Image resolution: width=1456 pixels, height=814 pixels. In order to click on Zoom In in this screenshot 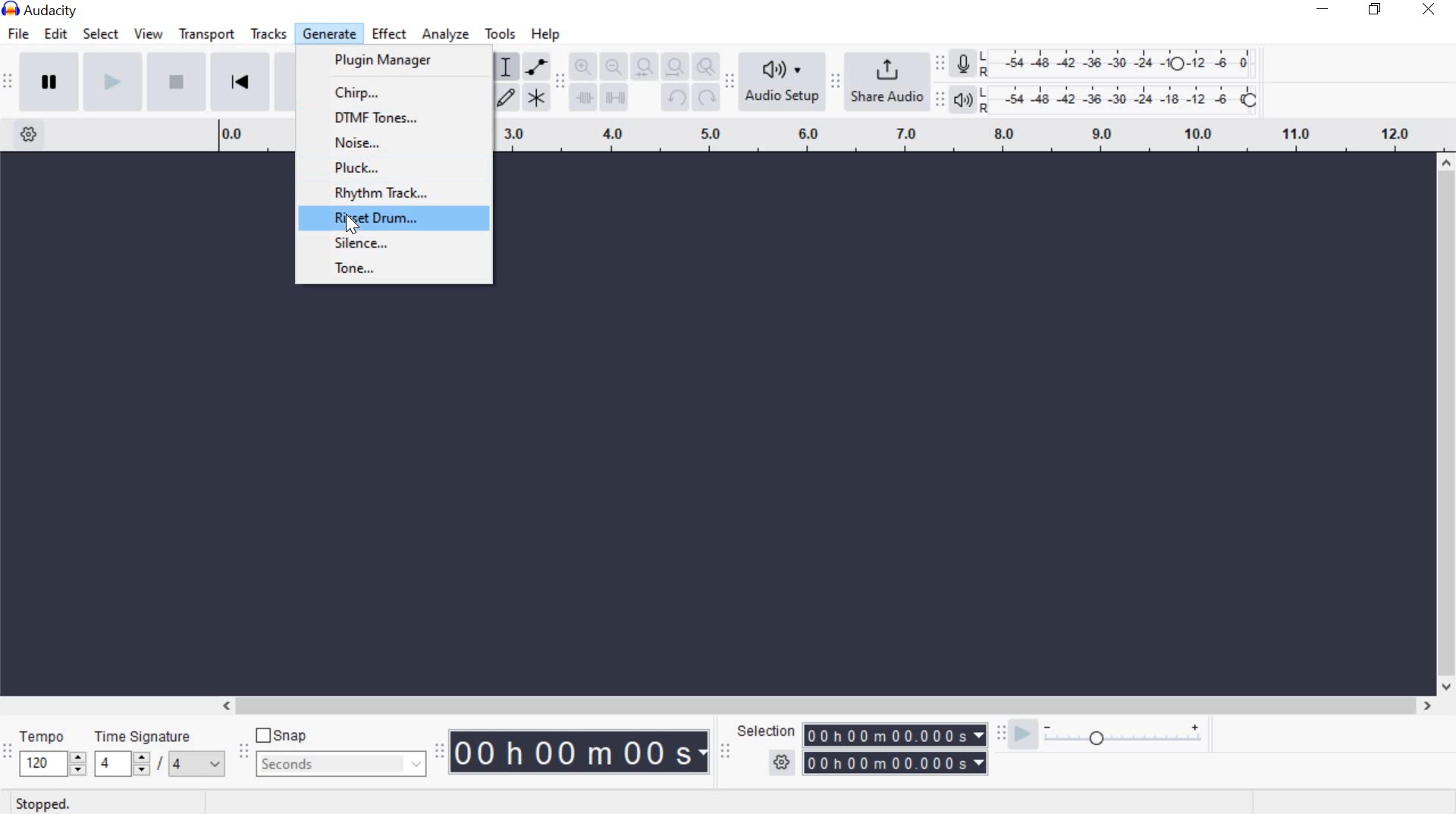, I will do `click(582, 66)`.